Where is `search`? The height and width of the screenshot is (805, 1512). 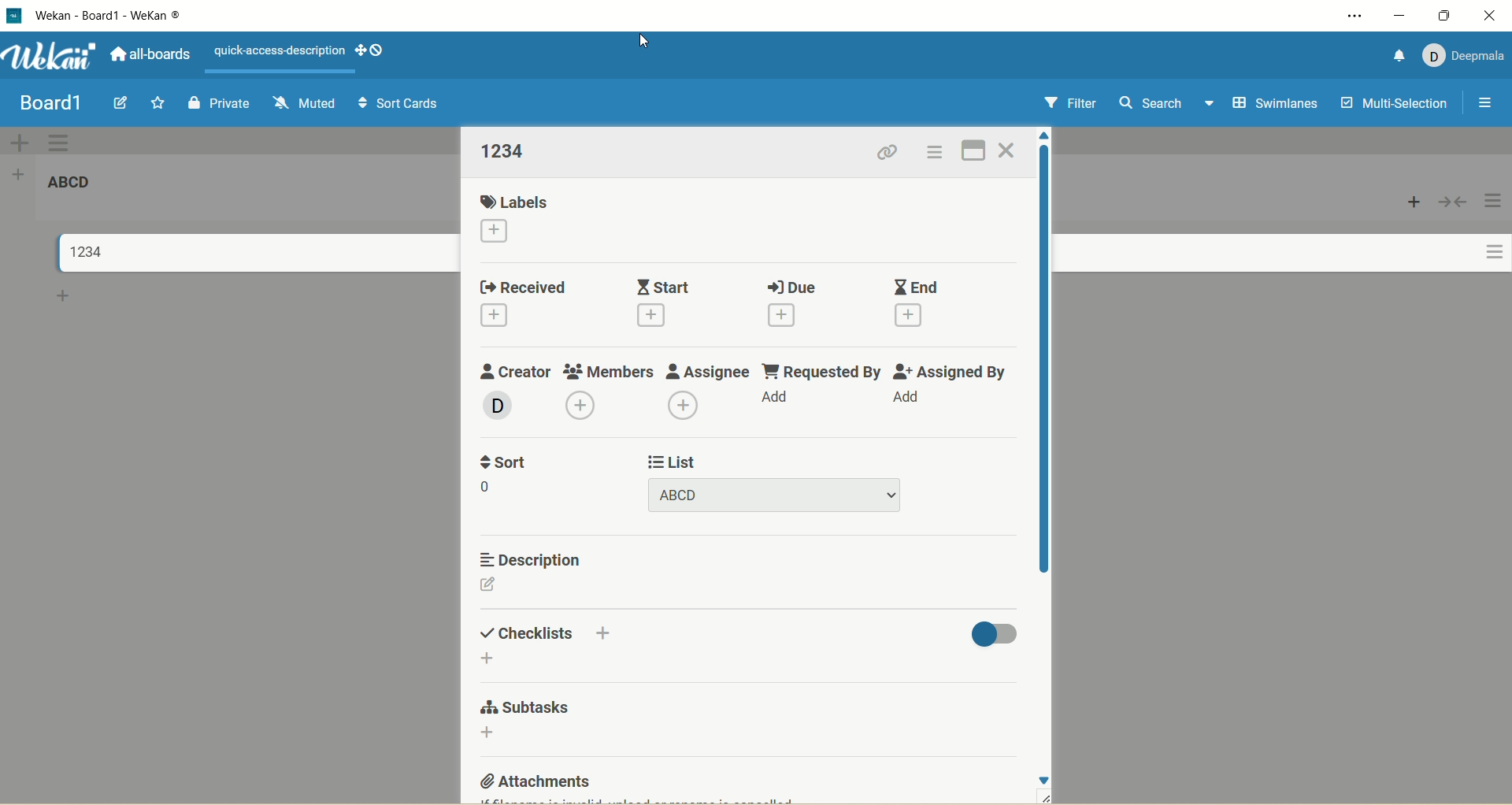 search is located at coordinates (1168, 106).